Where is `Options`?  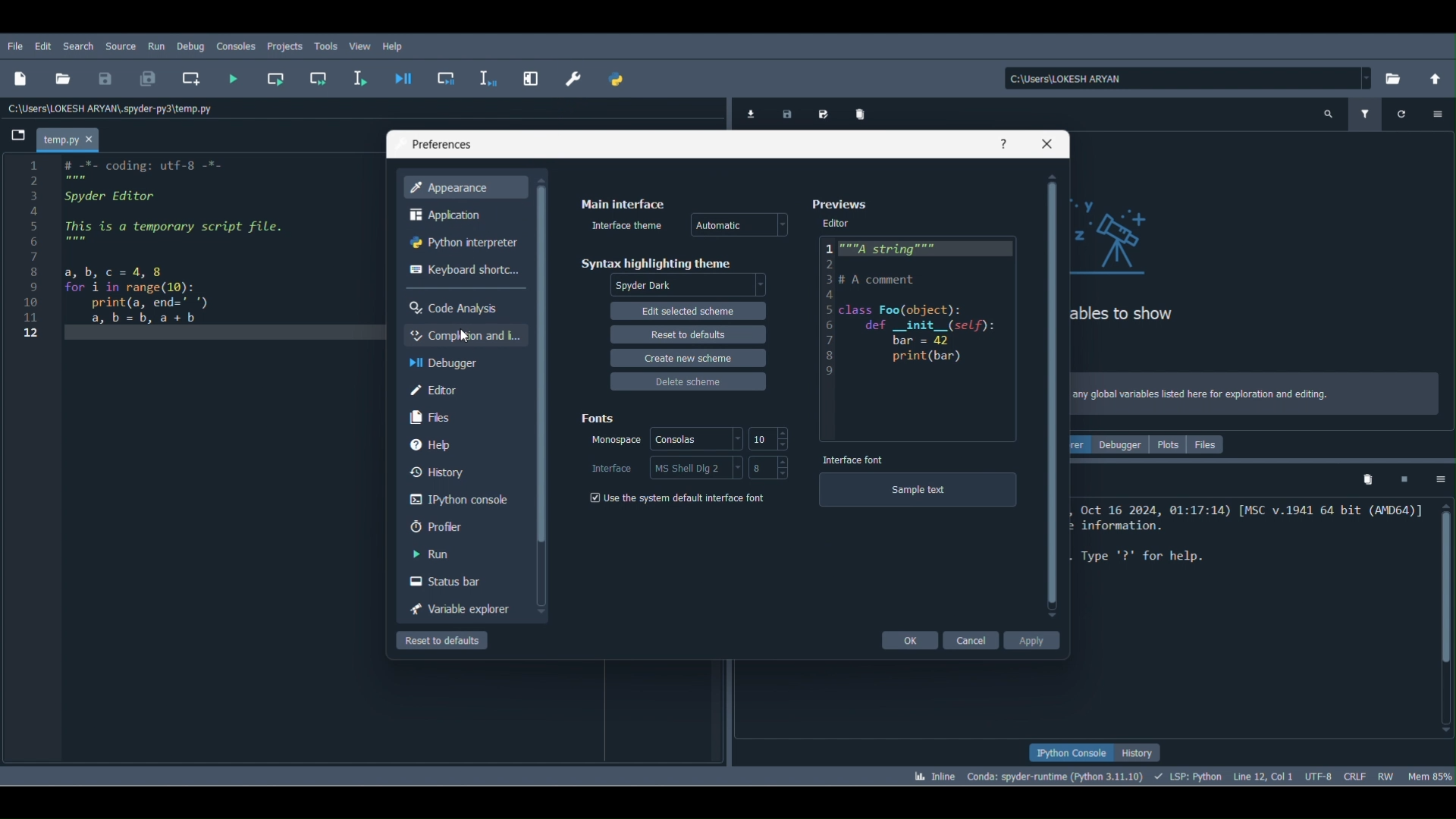 Options is located at coordinates (1437, 111).